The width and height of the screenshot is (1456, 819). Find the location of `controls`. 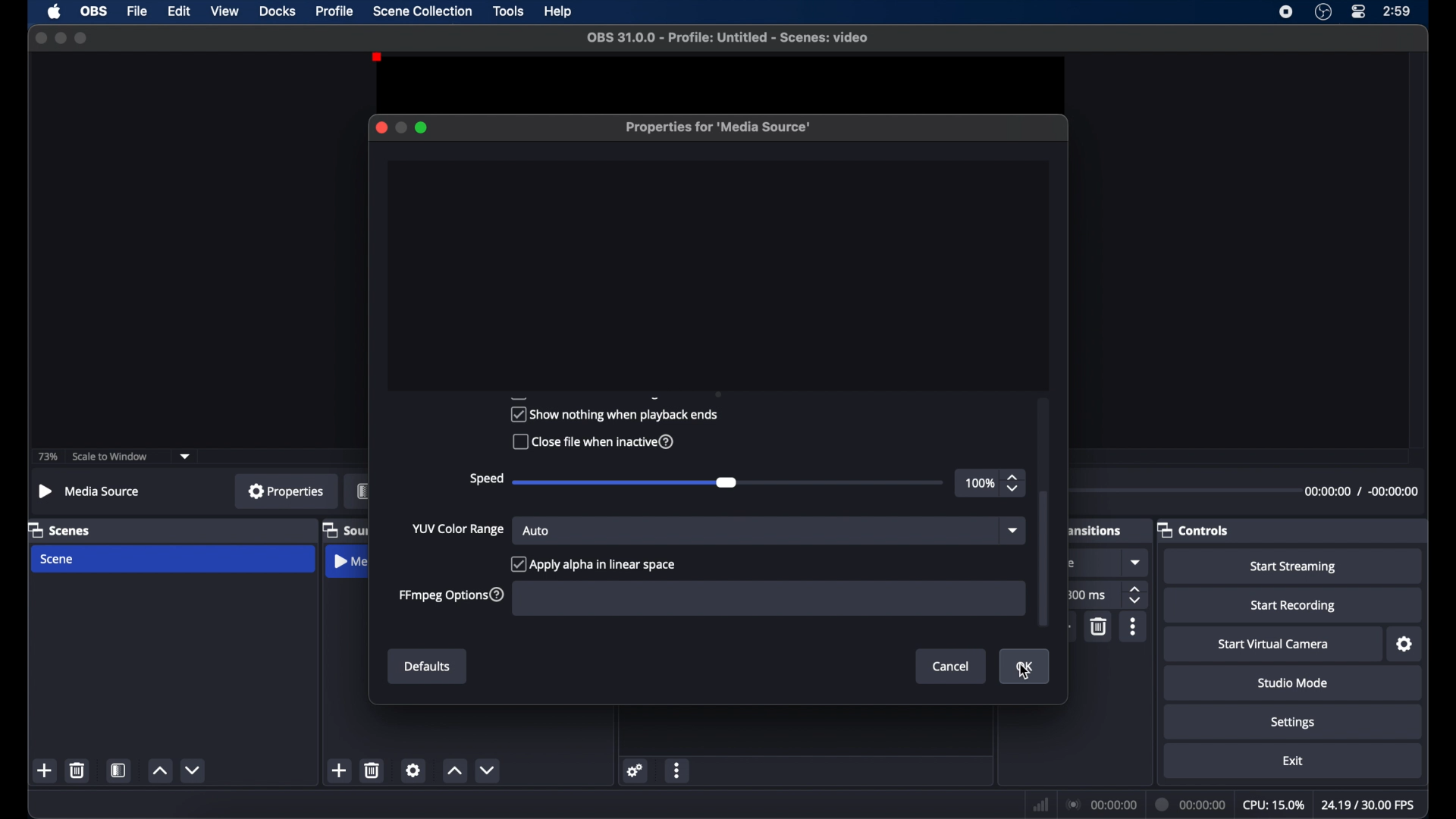

controls is located at coordinates (1192, 529).